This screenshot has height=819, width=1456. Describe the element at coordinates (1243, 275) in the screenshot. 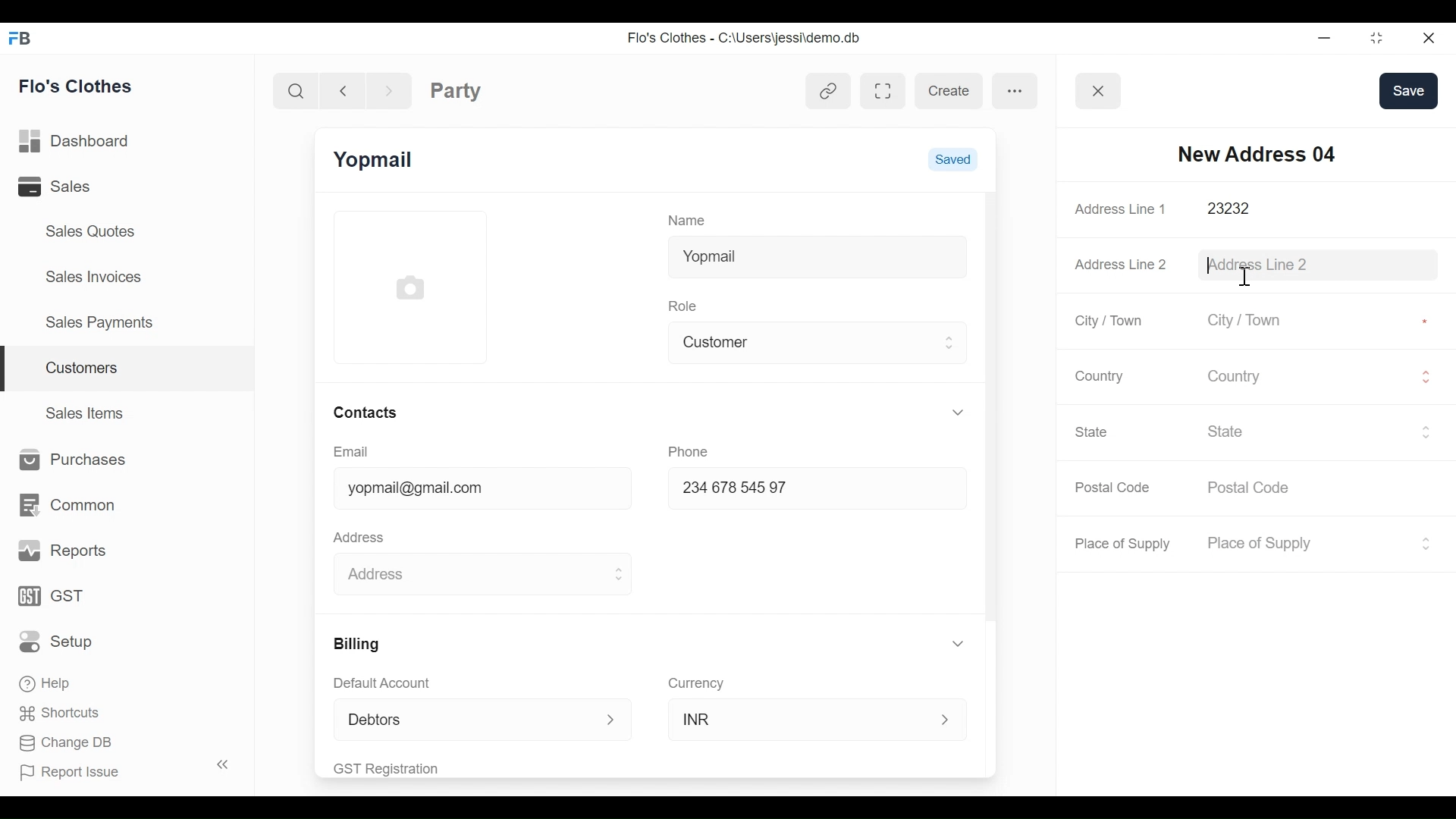

I see `text cursor` at that location.